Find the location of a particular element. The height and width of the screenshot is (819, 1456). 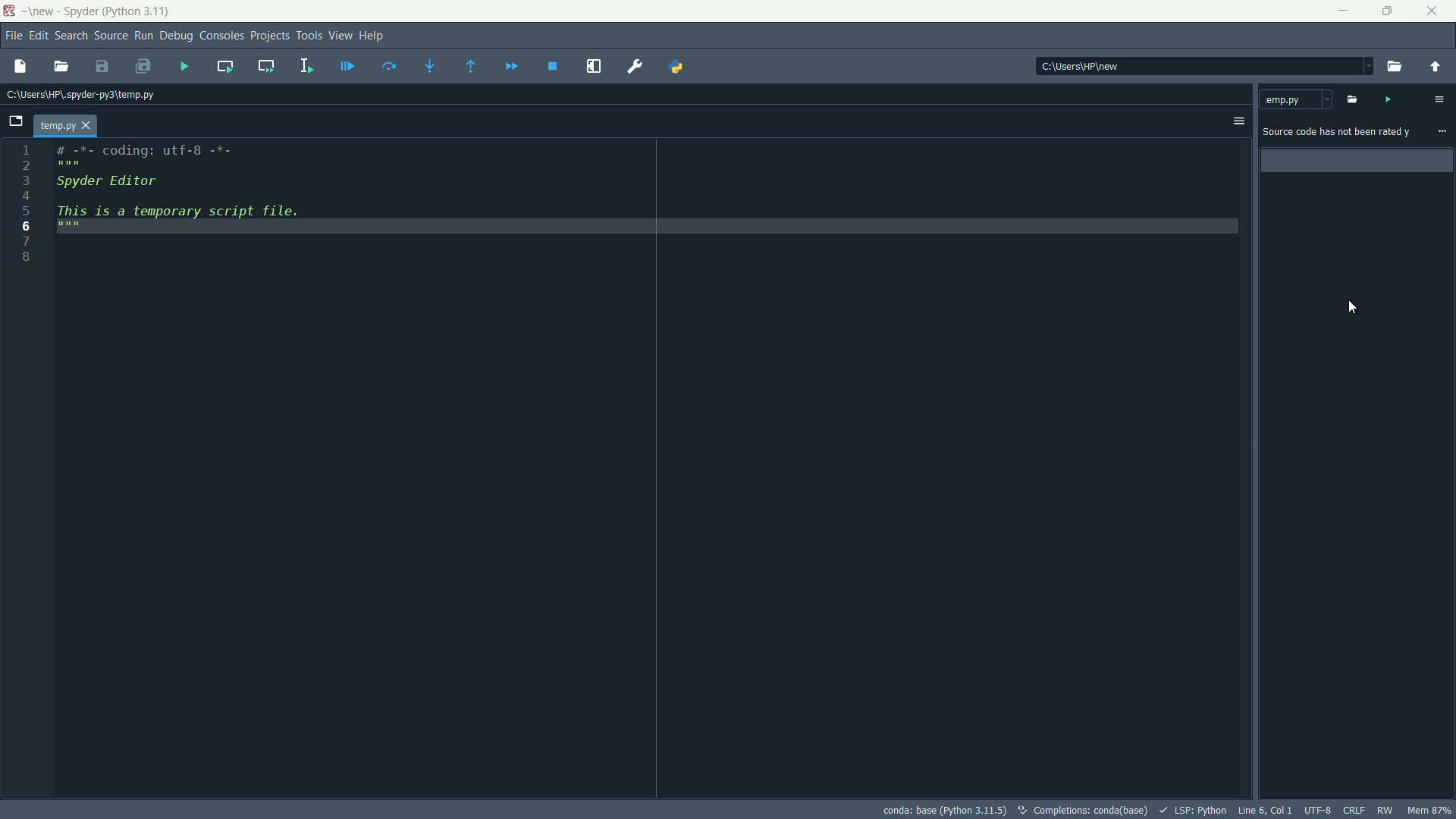

app name is located at coordinates (77, 11).